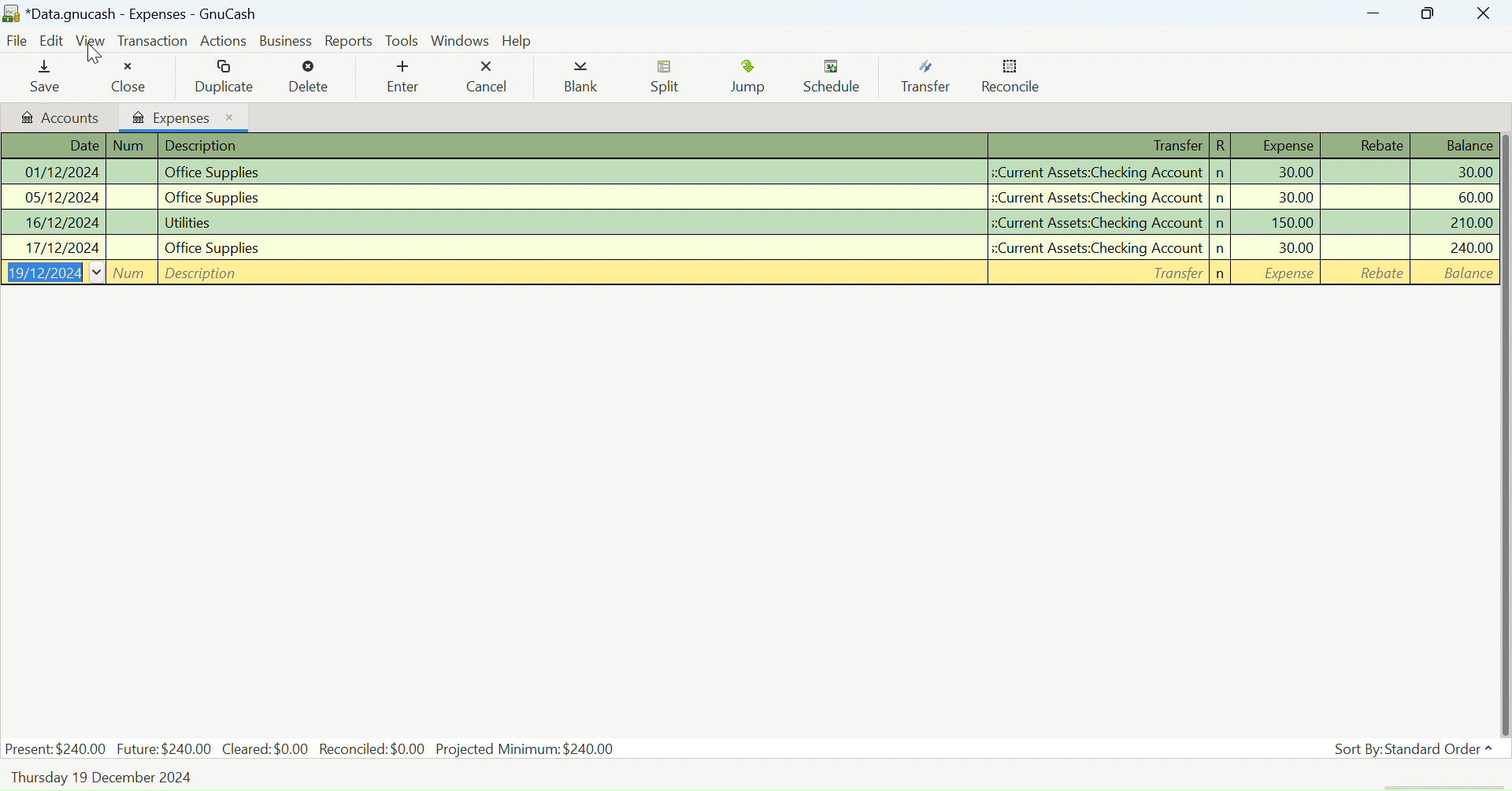 The image size is (1512, 791). I want to click on Sort By: Standard Order, so click(1410, 749).